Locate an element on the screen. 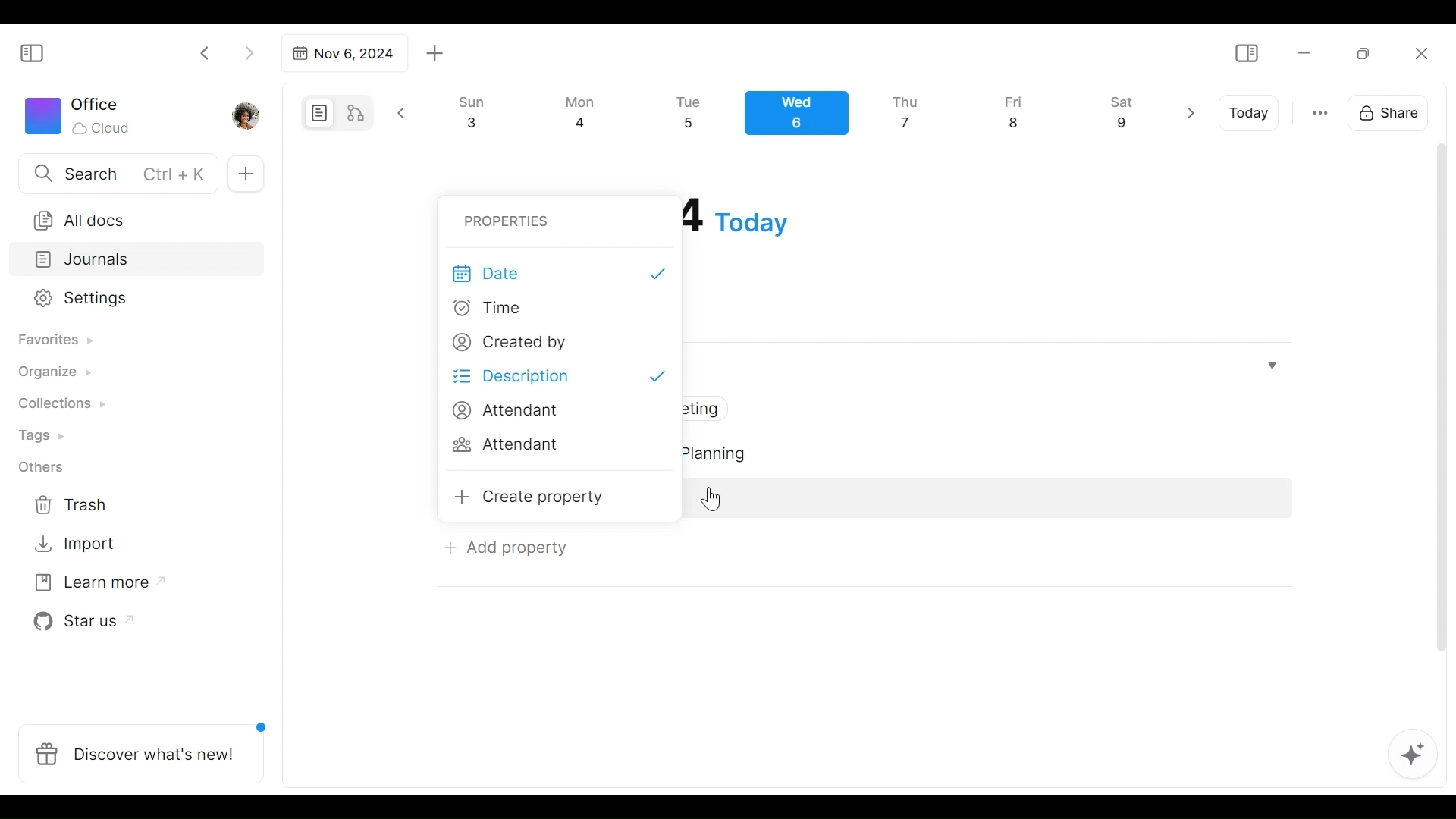 This screenshot has width=1456, height=819. Organize is located at coordinates (53, 373).